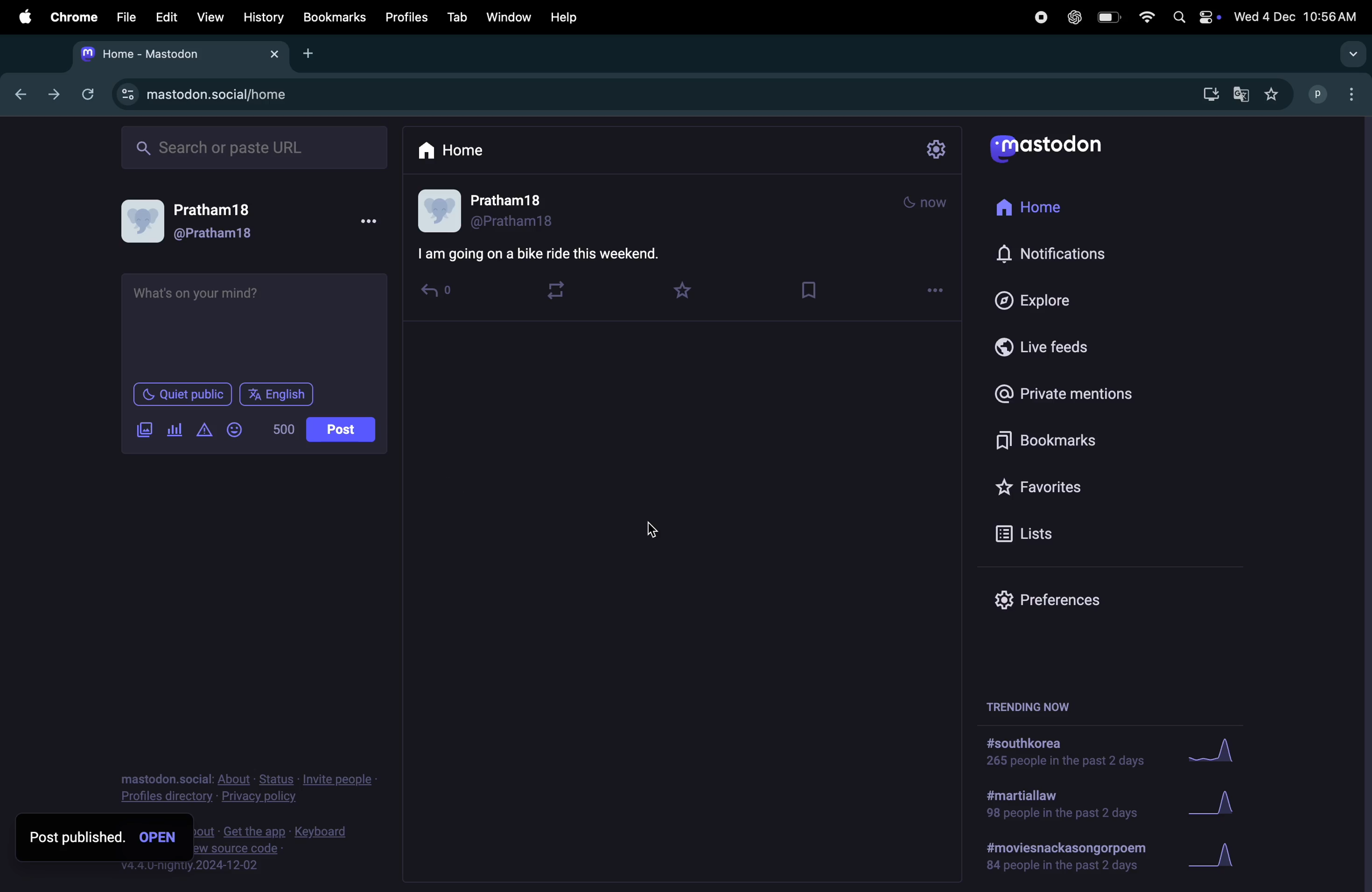 Image resolution: width=1372 pixels, height=892 pixels. I want to click on downlaods, so click(1206, 92).